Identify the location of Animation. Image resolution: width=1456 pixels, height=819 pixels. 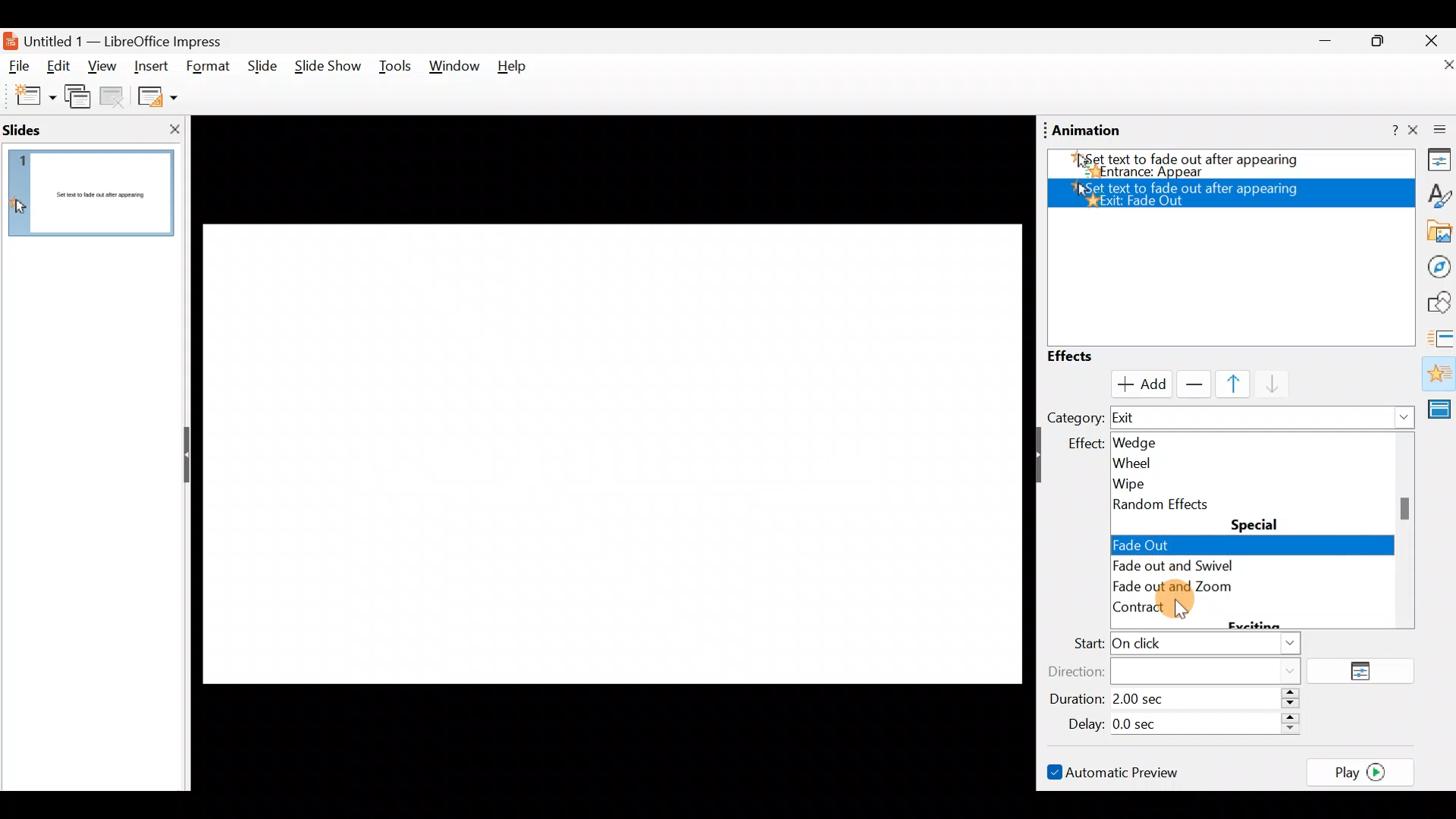
(1438, 375).